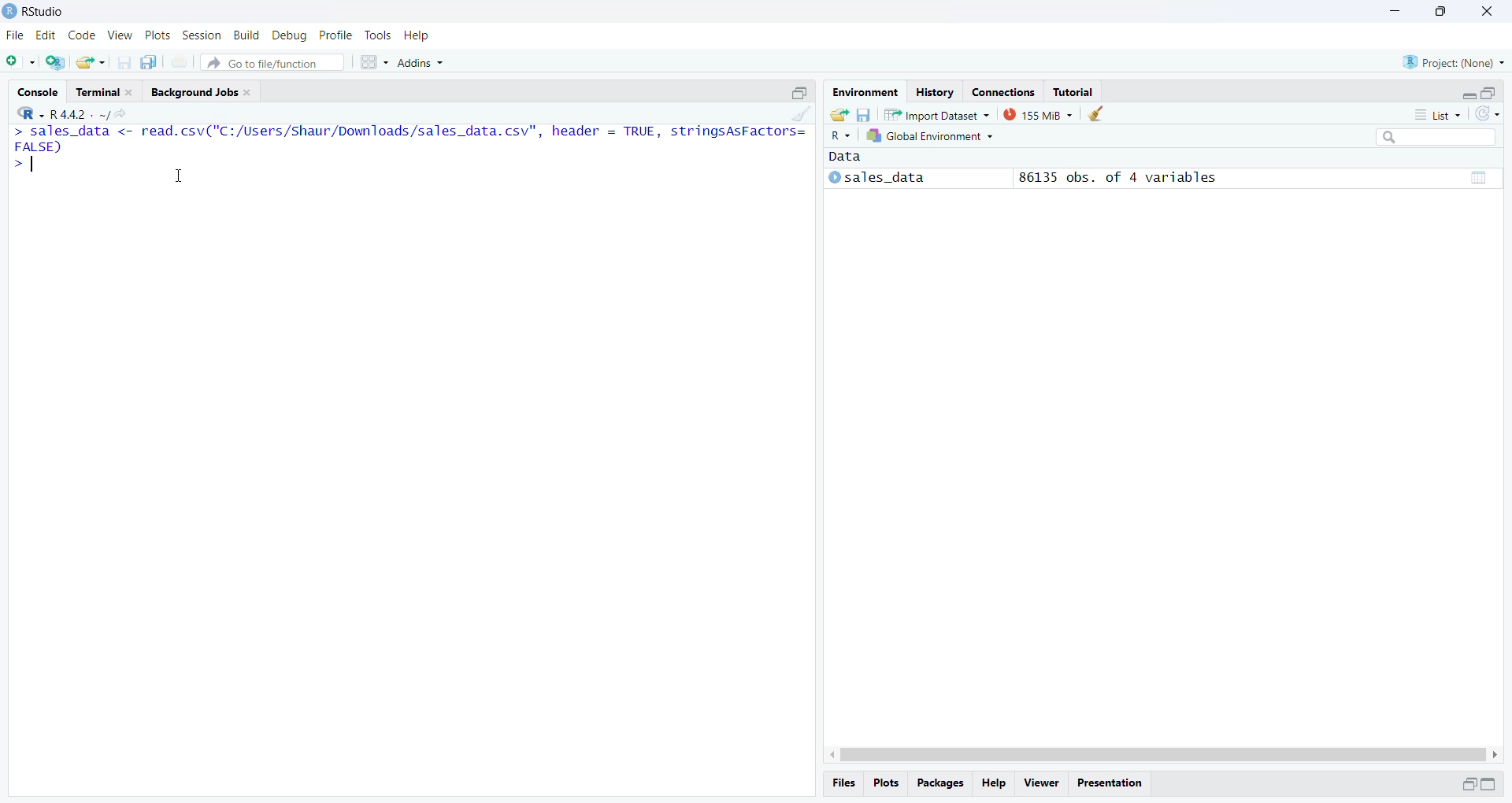 The width and height of the screenshot is (1512, 803). I want to click on Minimize, so click(1395, 12).